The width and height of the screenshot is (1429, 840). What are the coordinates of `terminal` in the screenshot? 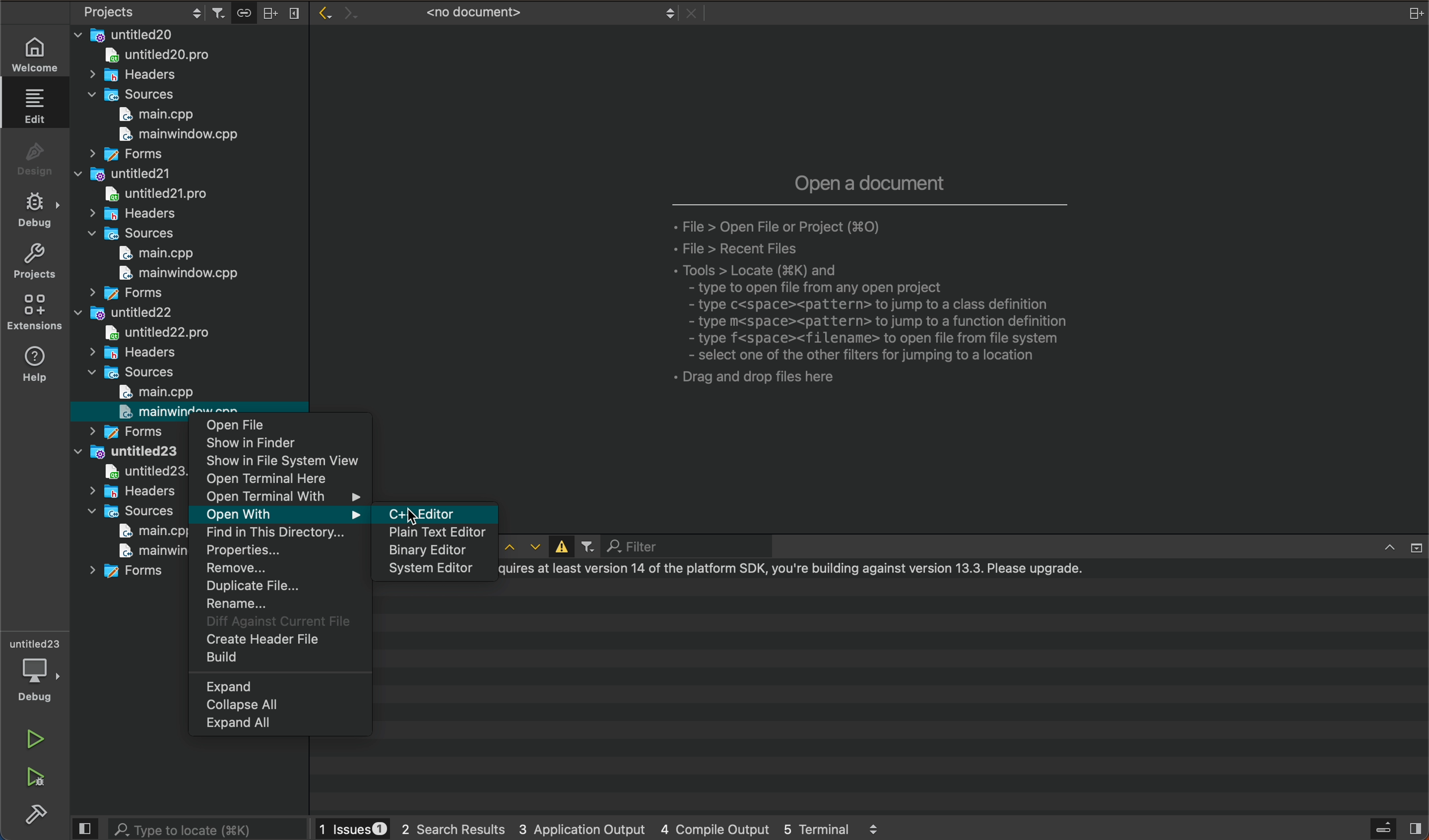 It's located at (904, 697).